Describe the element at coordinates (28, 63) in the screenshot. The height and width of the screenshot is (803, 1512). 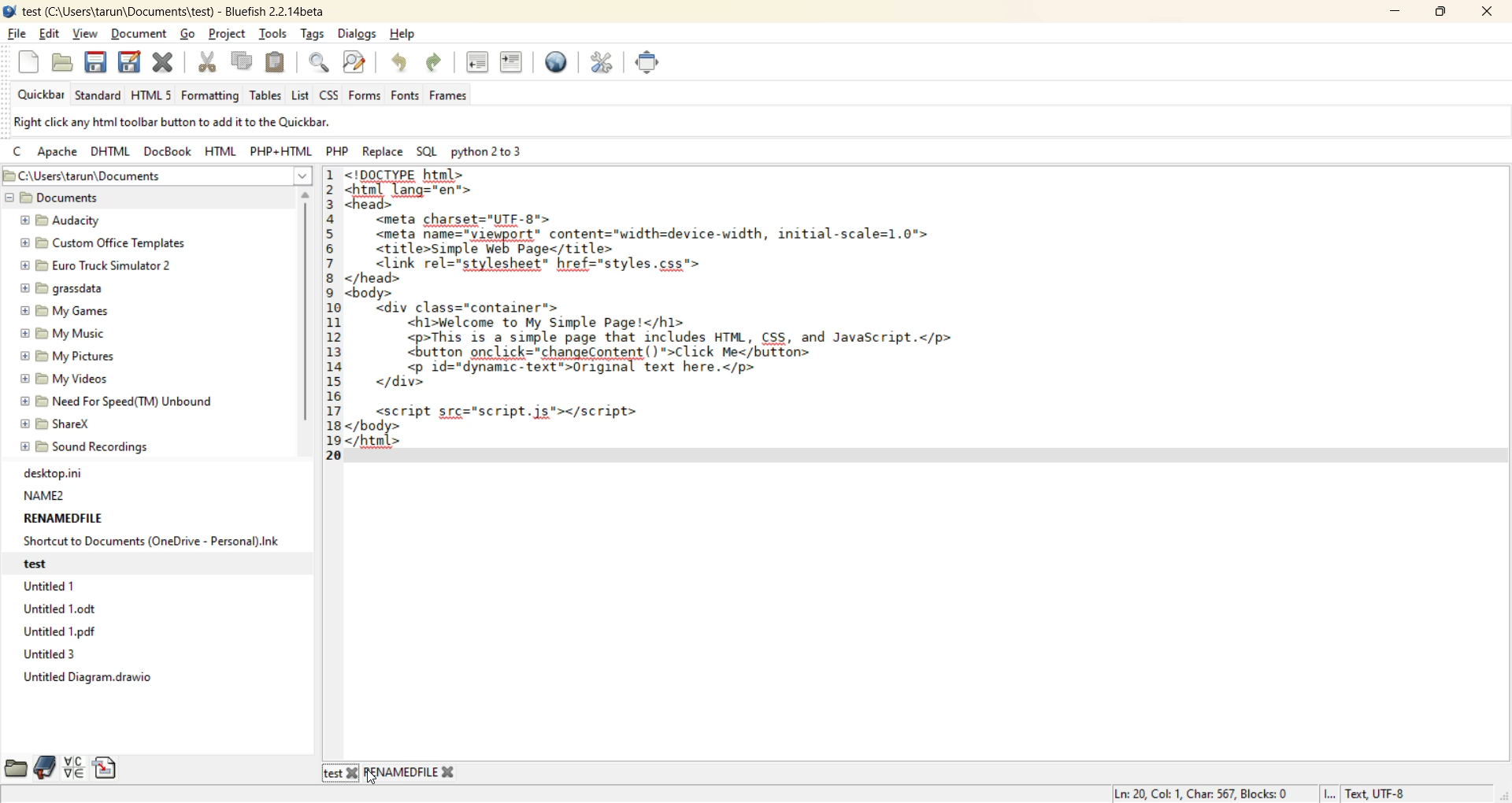
I see `new` at that location.